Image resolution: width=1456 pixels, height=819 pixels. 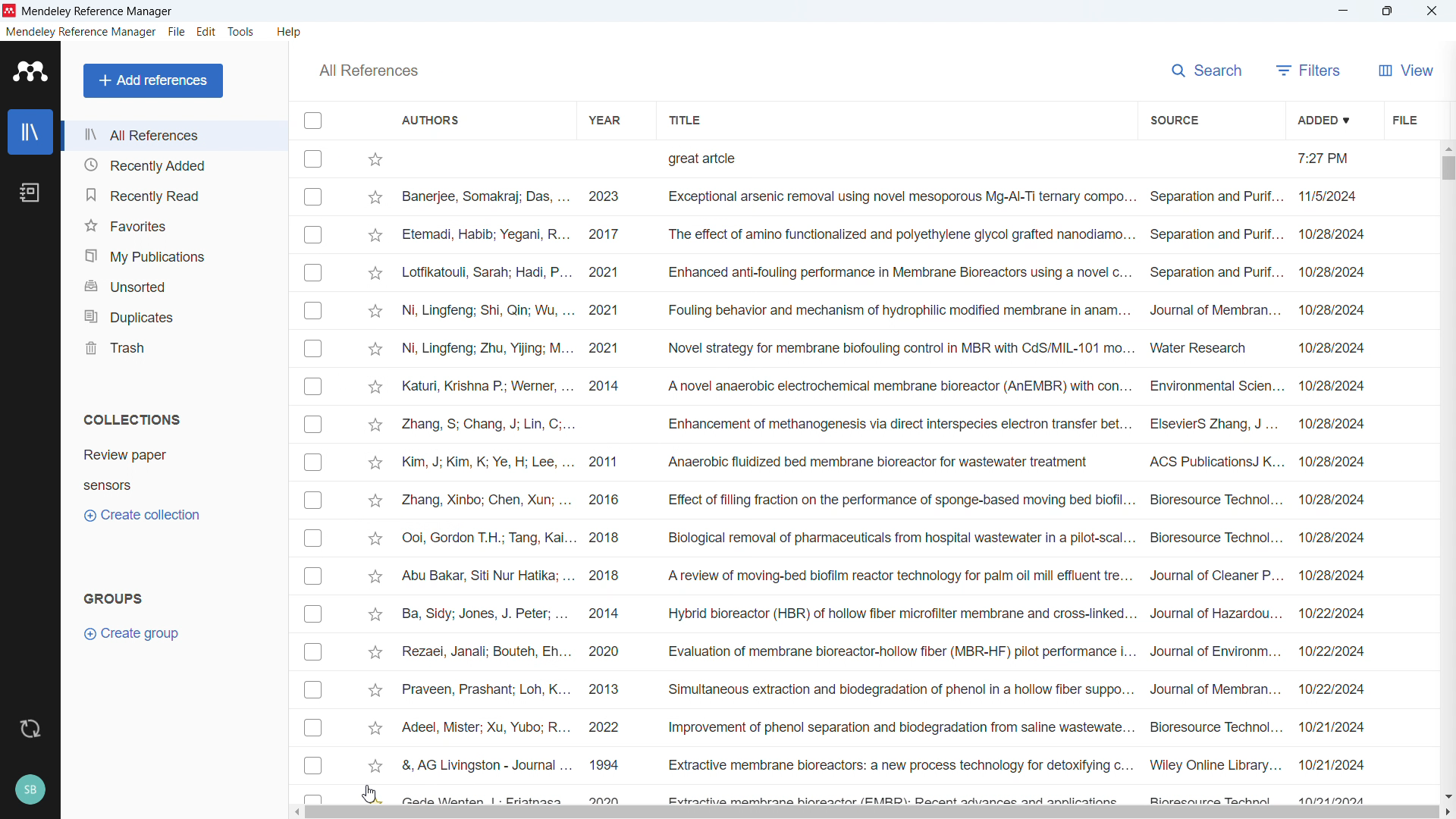 What do you see at coordinates (491, 496) in the screenshot?
I see `Authors of individual entries ` at bounding box center [491, 496].